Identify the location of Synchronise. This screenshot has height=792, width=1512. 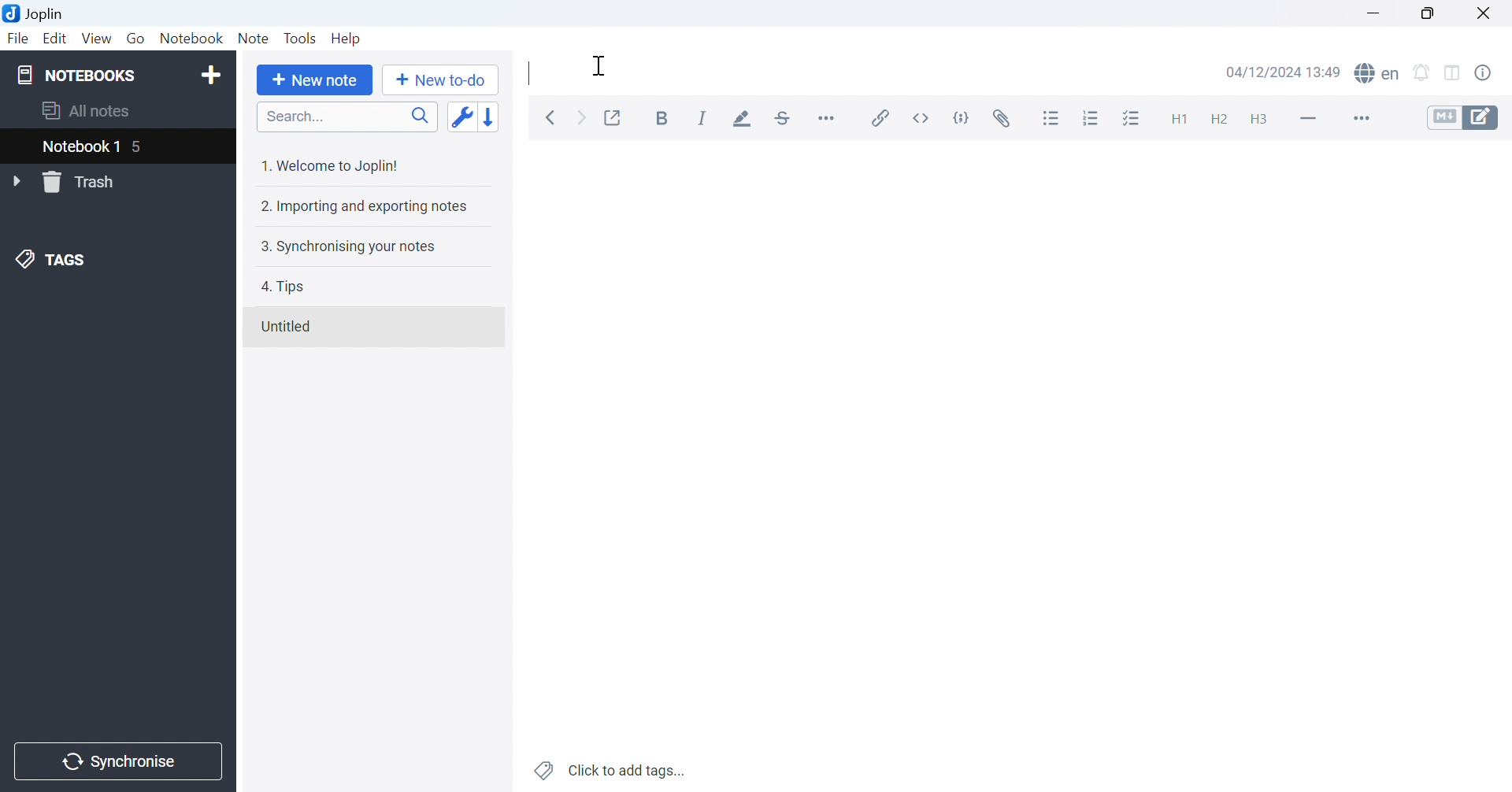
(120, 762).